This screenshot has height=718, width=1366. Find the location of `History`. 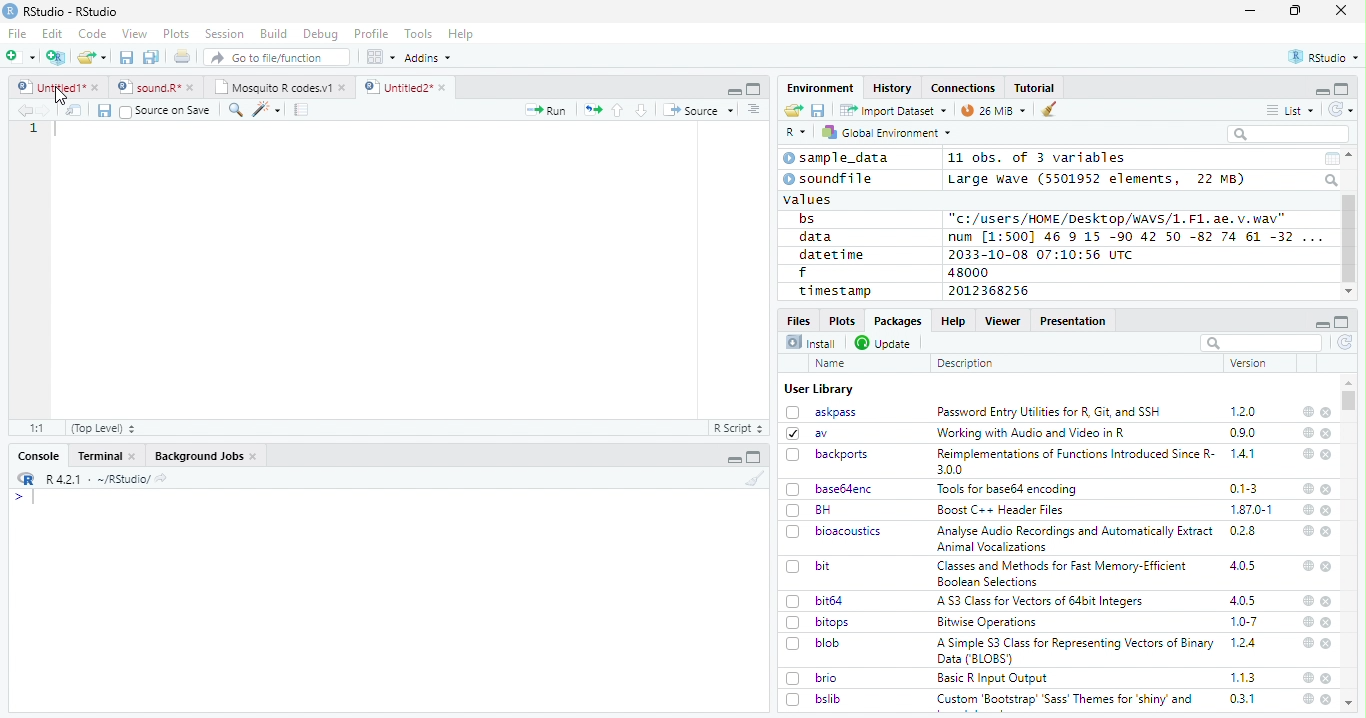

History is located at coordinates (893, 88).